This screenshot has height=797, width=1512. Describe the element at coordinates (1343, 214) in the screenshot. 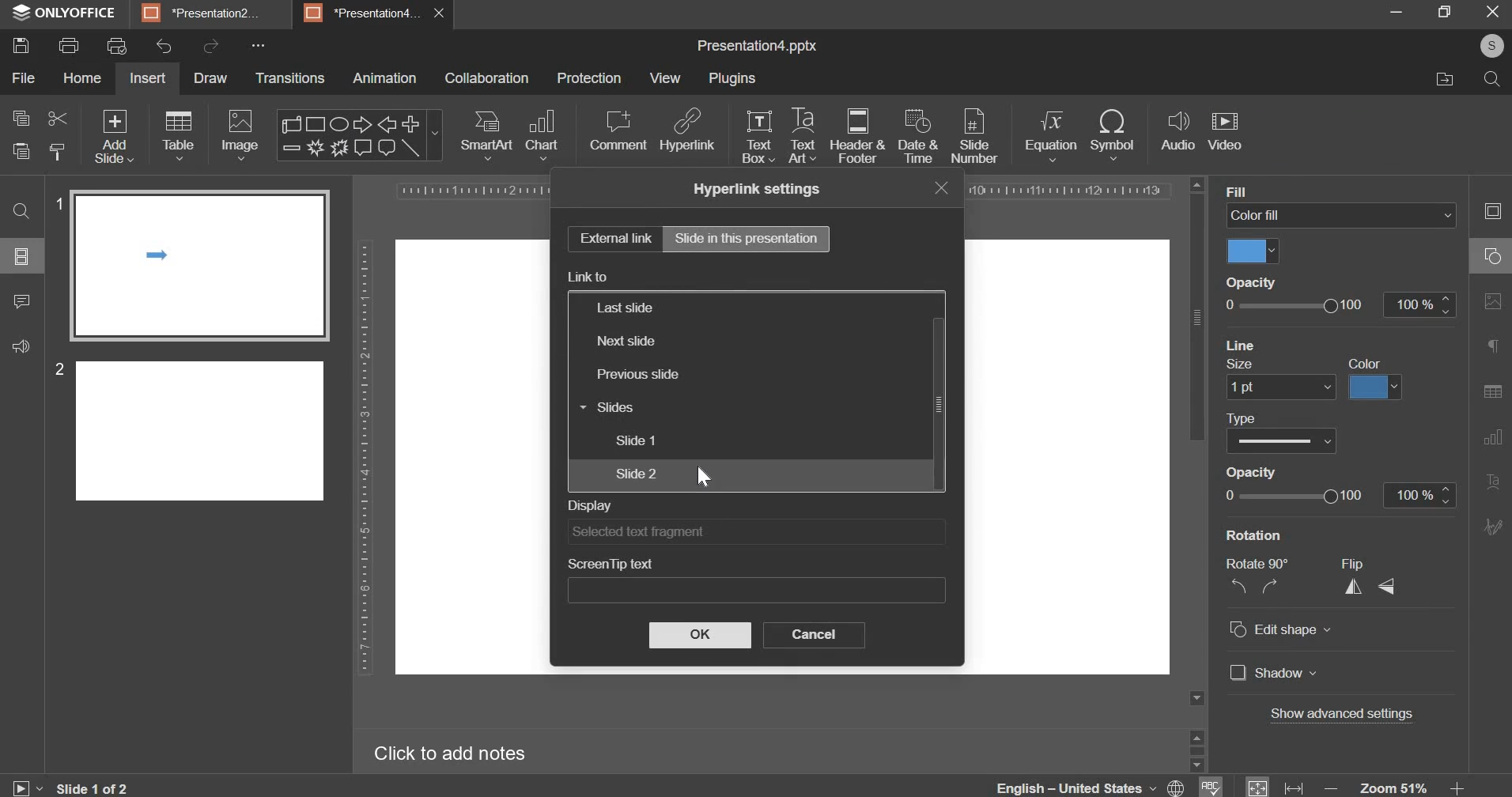

I see `background fill` at that location.